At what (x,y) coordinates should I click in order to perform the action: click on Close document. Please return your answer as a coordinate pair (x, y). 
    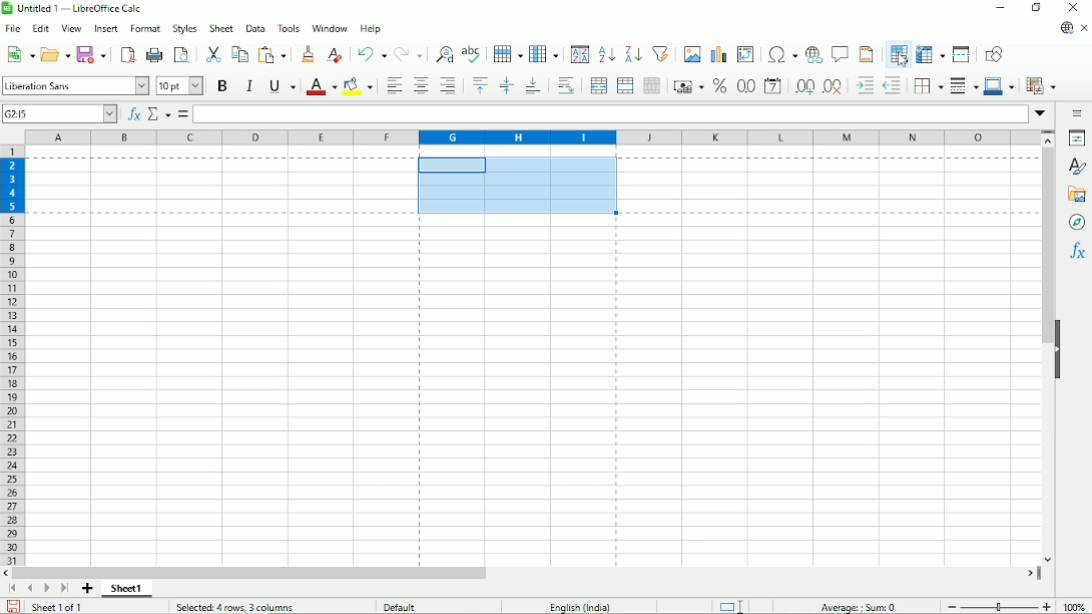
    Looking at the image, I should click on (1085, 27).